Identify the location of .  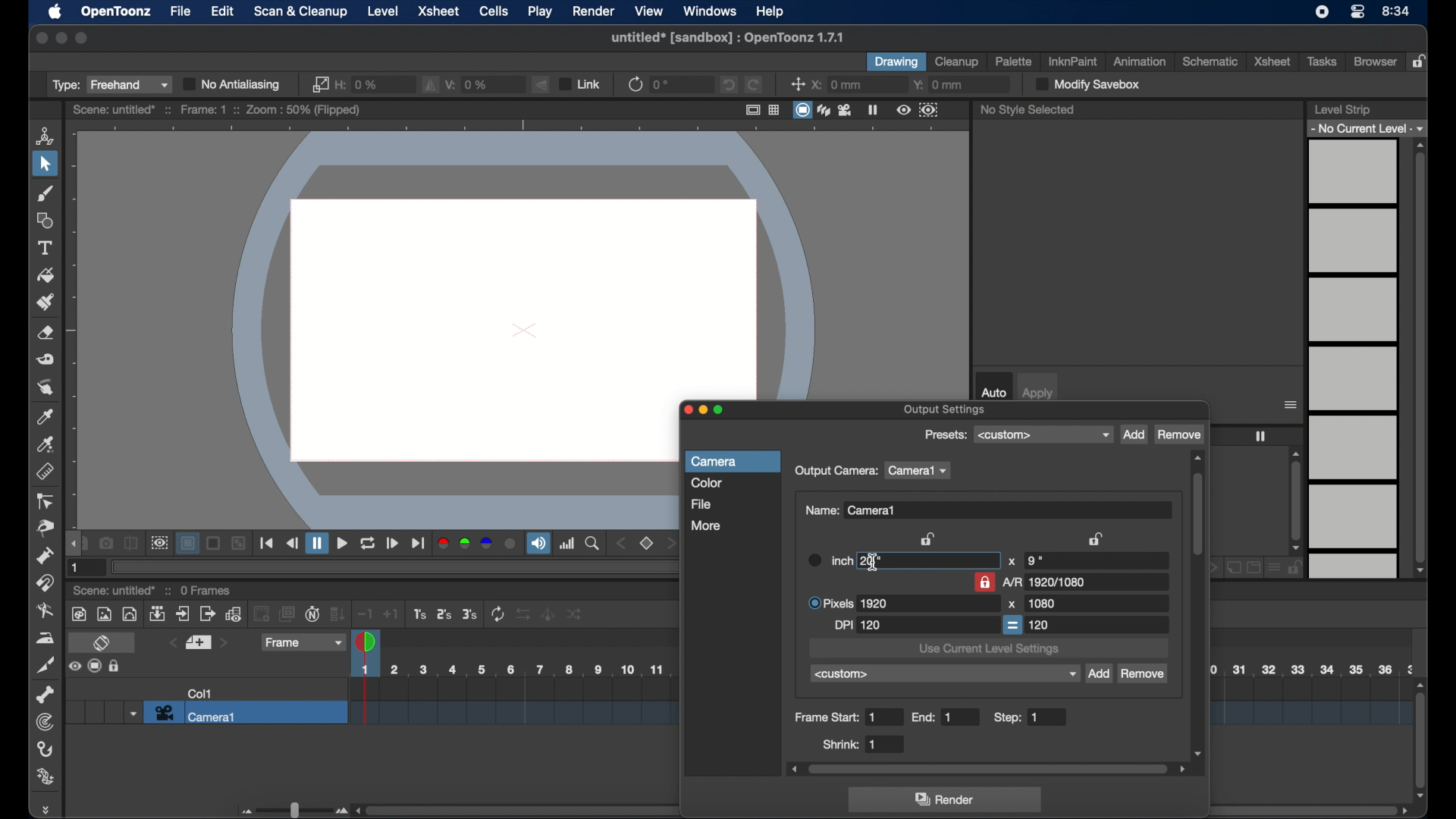
(79, 613).